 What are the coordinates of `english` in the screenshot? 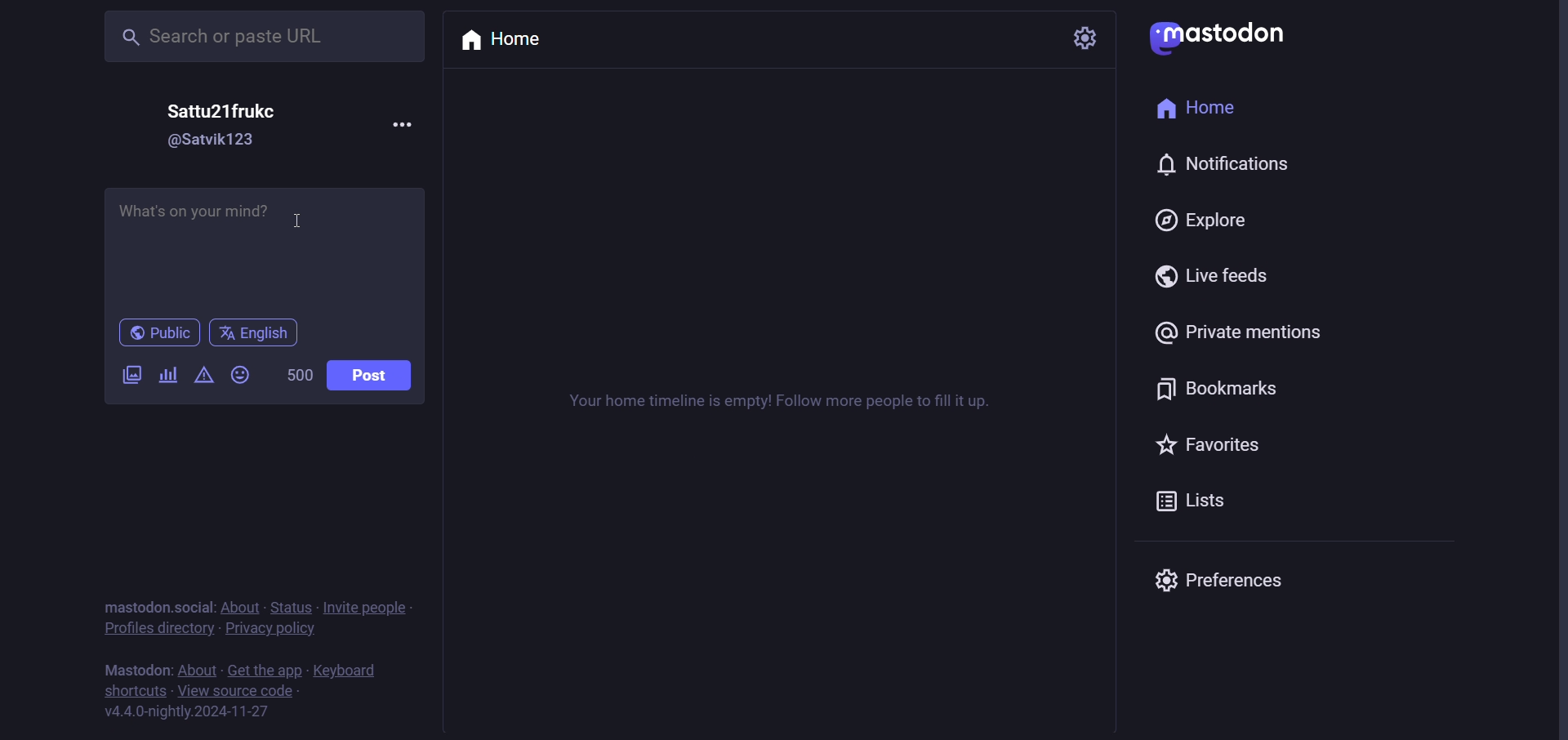 It's located at (253, 333).